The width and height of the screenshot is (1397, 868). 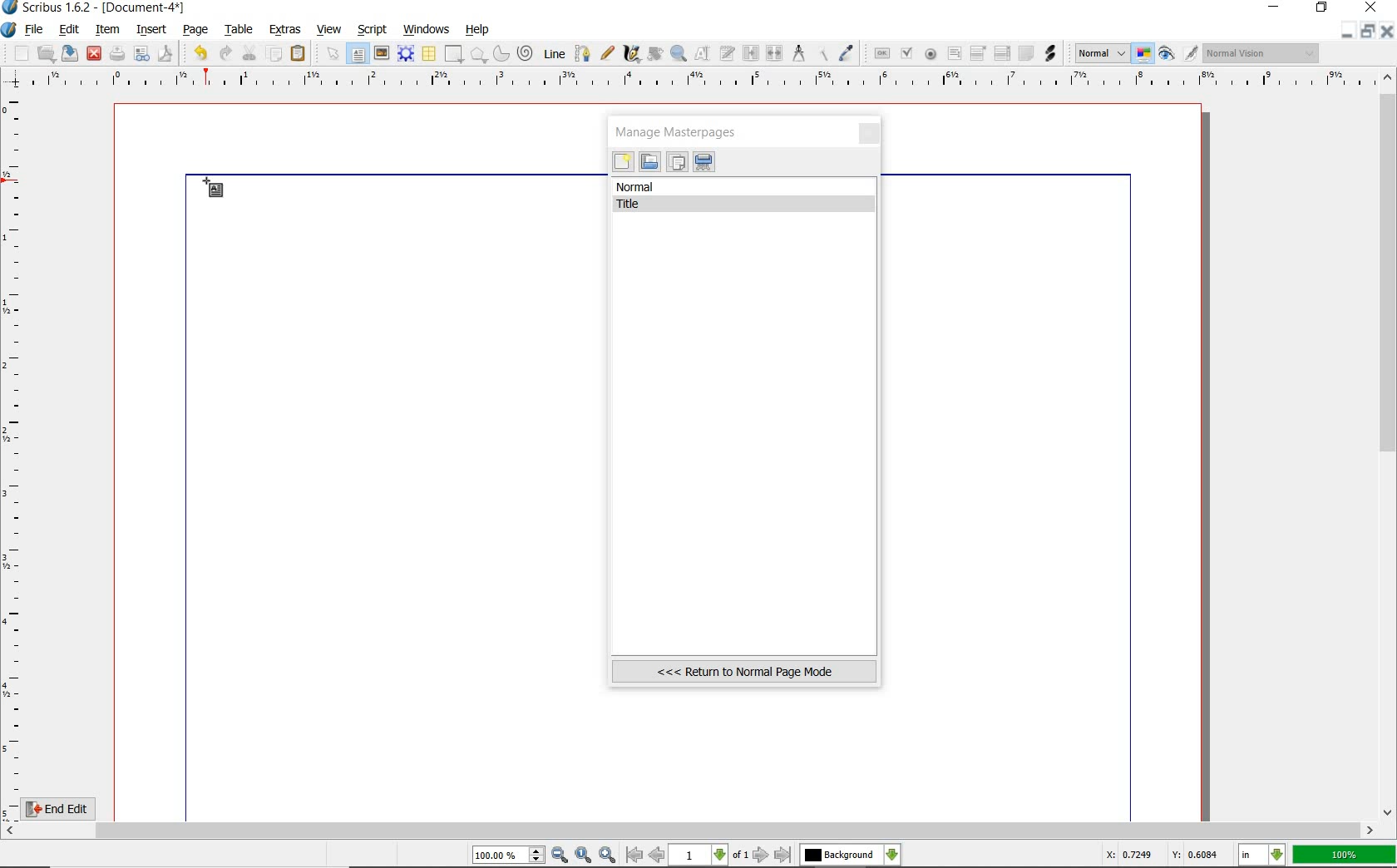 I want to click on paste, so click(x=299, y=54).